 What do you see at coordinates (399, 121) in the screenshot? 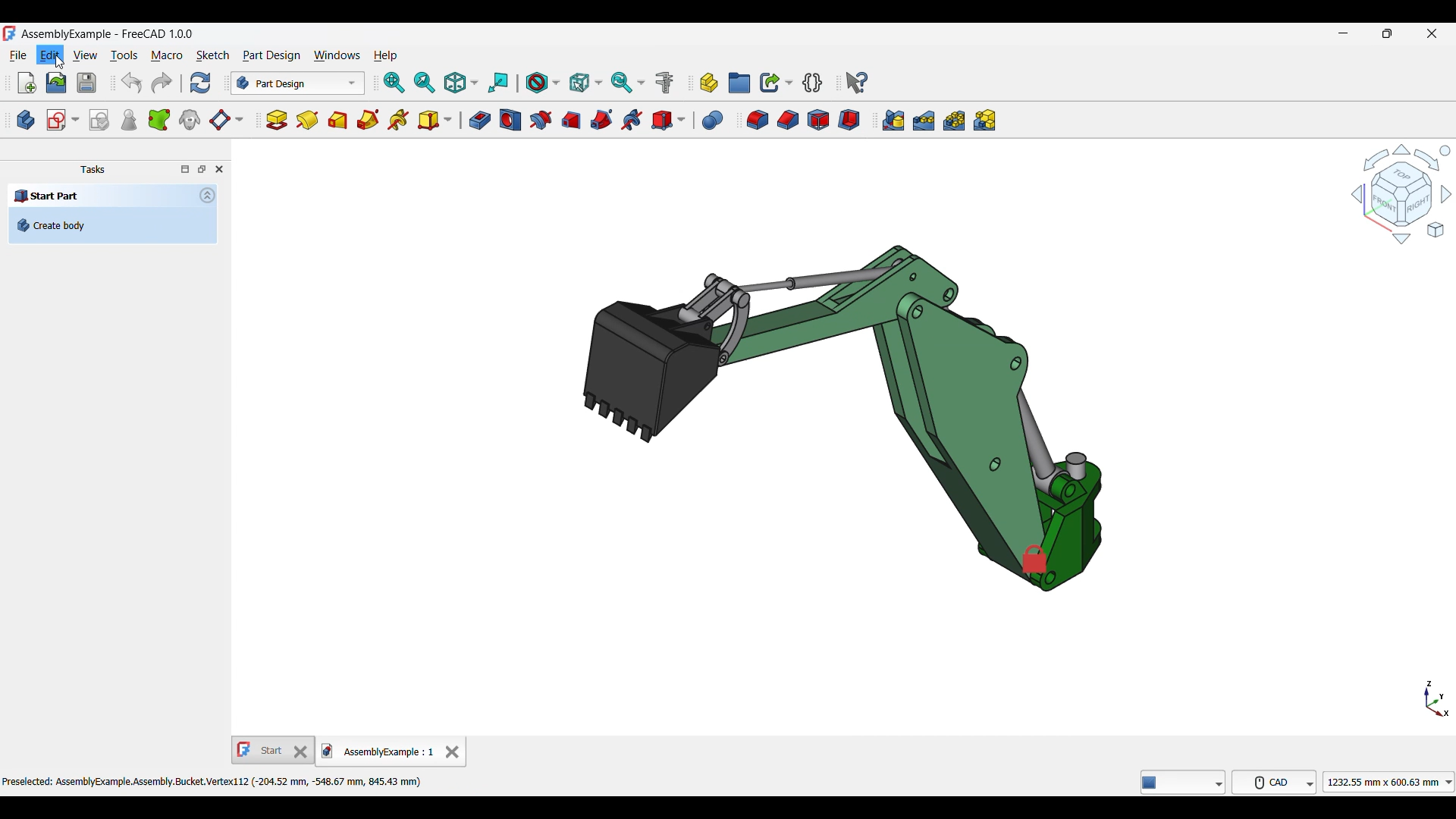
I see `Additive helix` at bounding box center [399, 121].